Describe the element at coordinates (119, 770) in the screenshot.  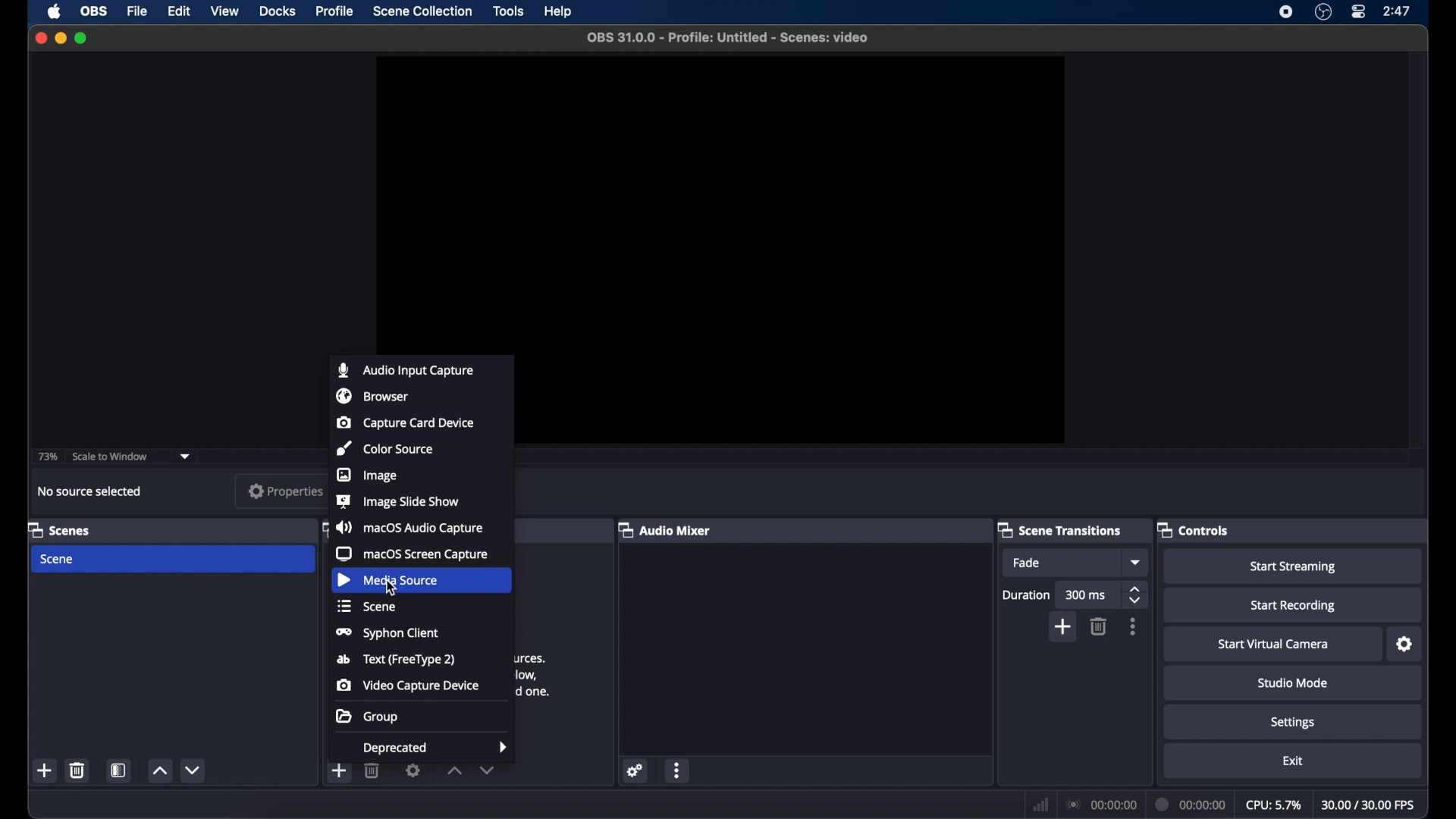
I see `scene filters` at that location.